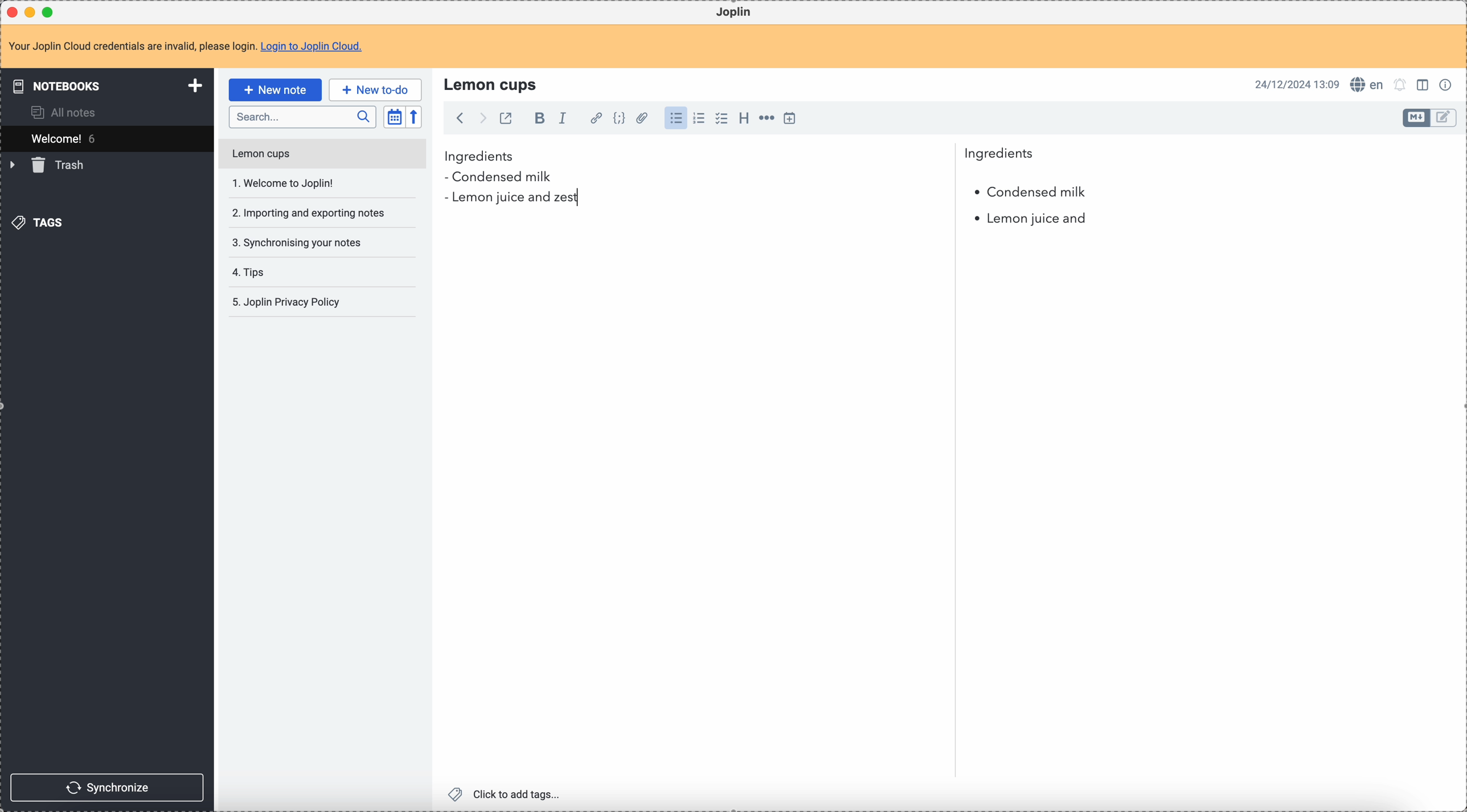 This screenshot has height=812, width=1467. Describe the element at coordinates (502, 178) in the screenshot. I see `condensed milk` at that location.